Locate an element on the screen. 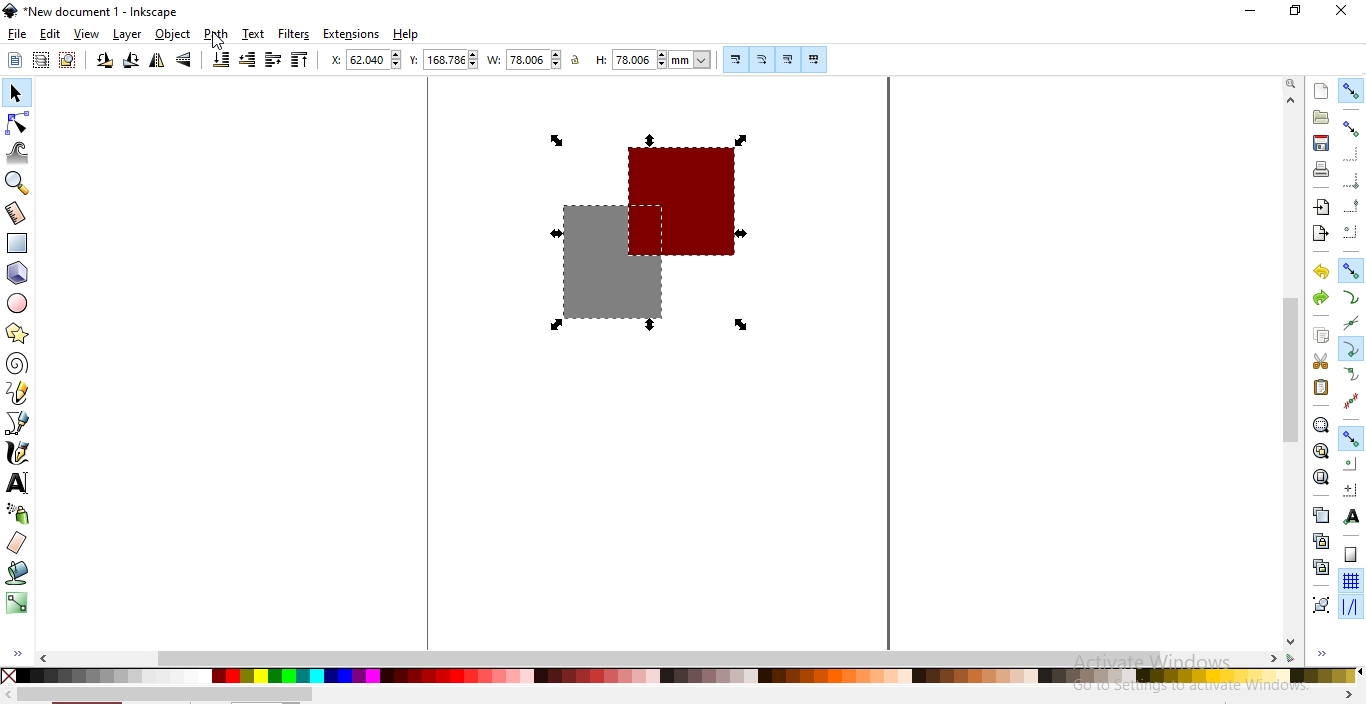 This screenshot has width=1366, height=704. create duplicate is located at coordinates (1319, 514).